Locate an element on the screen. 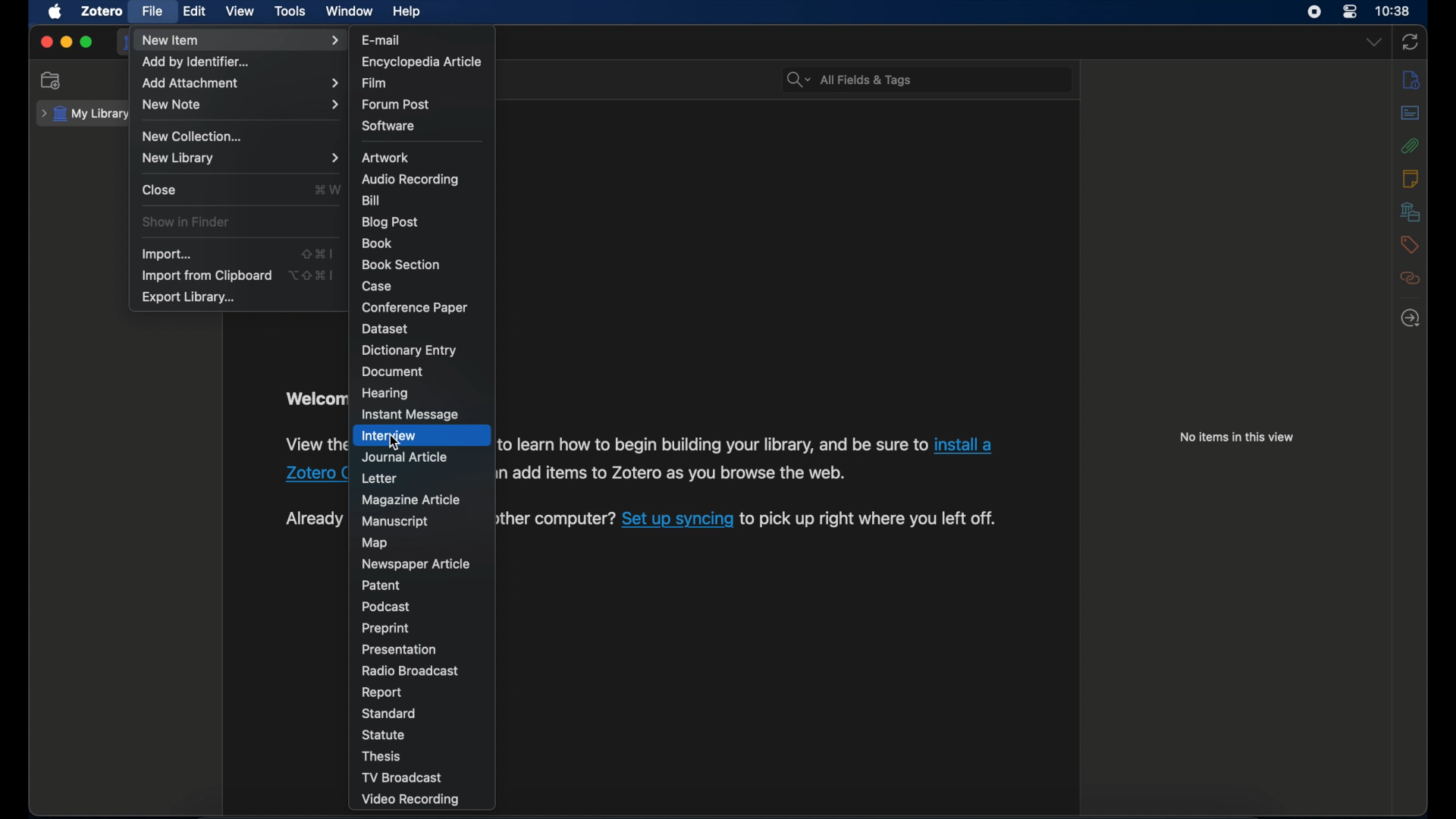 This screenshot has height=819, width=1456. install a is located at coordinates (965, 446).